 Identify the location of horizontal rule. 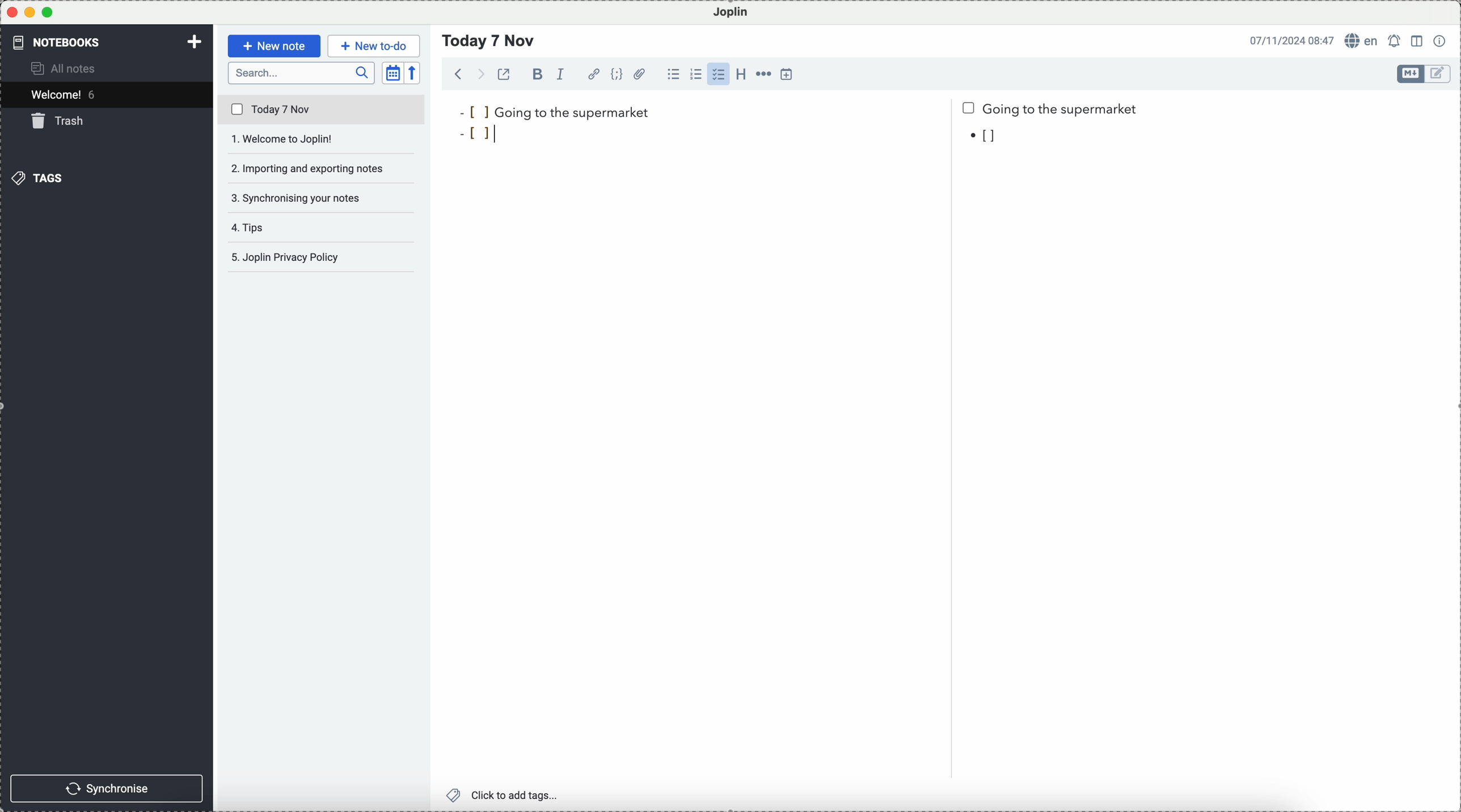
(763, 74).